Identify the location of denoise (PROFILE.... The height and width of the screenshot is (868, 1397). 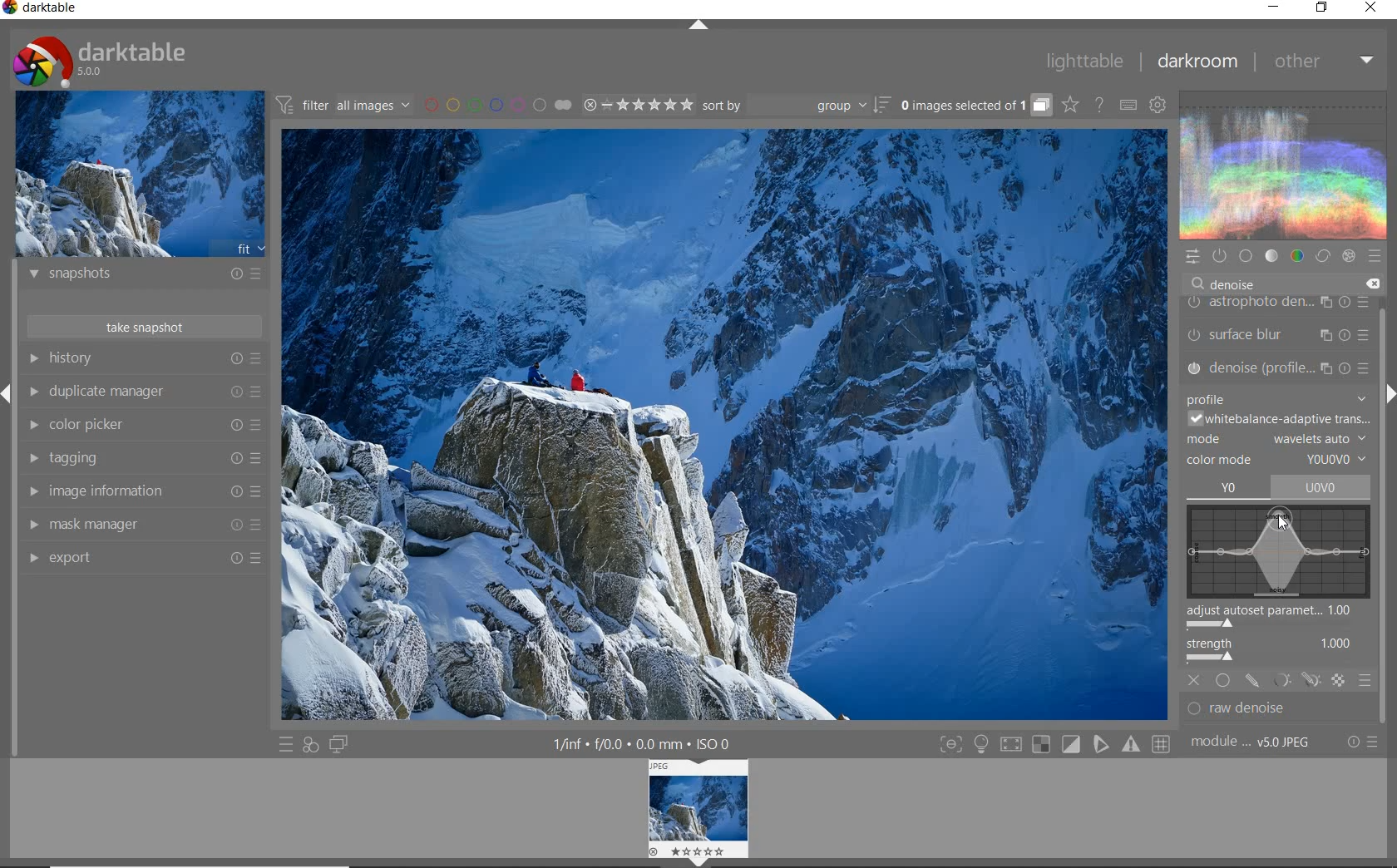
(1279, 366).